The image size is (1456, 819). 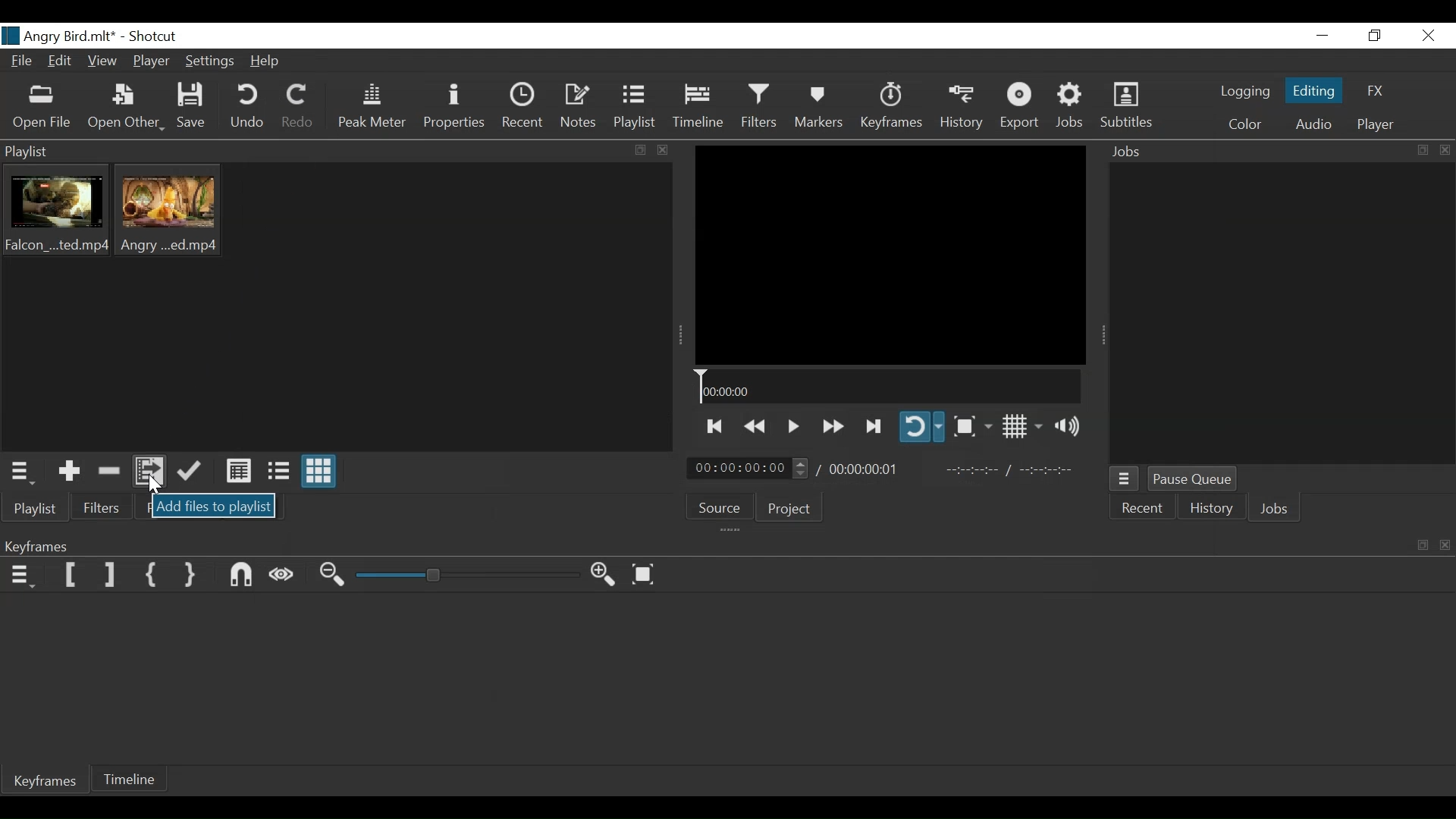 What do you see at coordinates (1009, 471) in the screenshot?
I see `In point` at bounding box center [1009, 471].